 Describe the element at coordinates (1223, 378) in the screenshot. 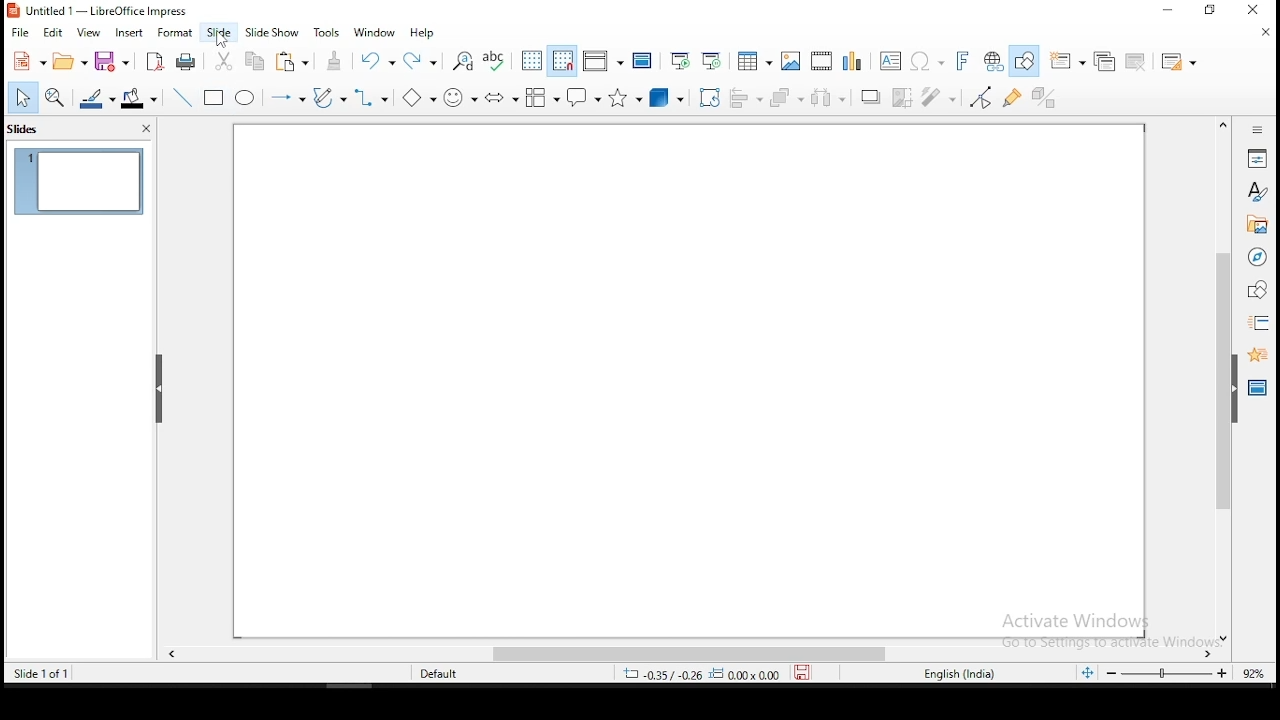

I see `scroll bar` at that location.